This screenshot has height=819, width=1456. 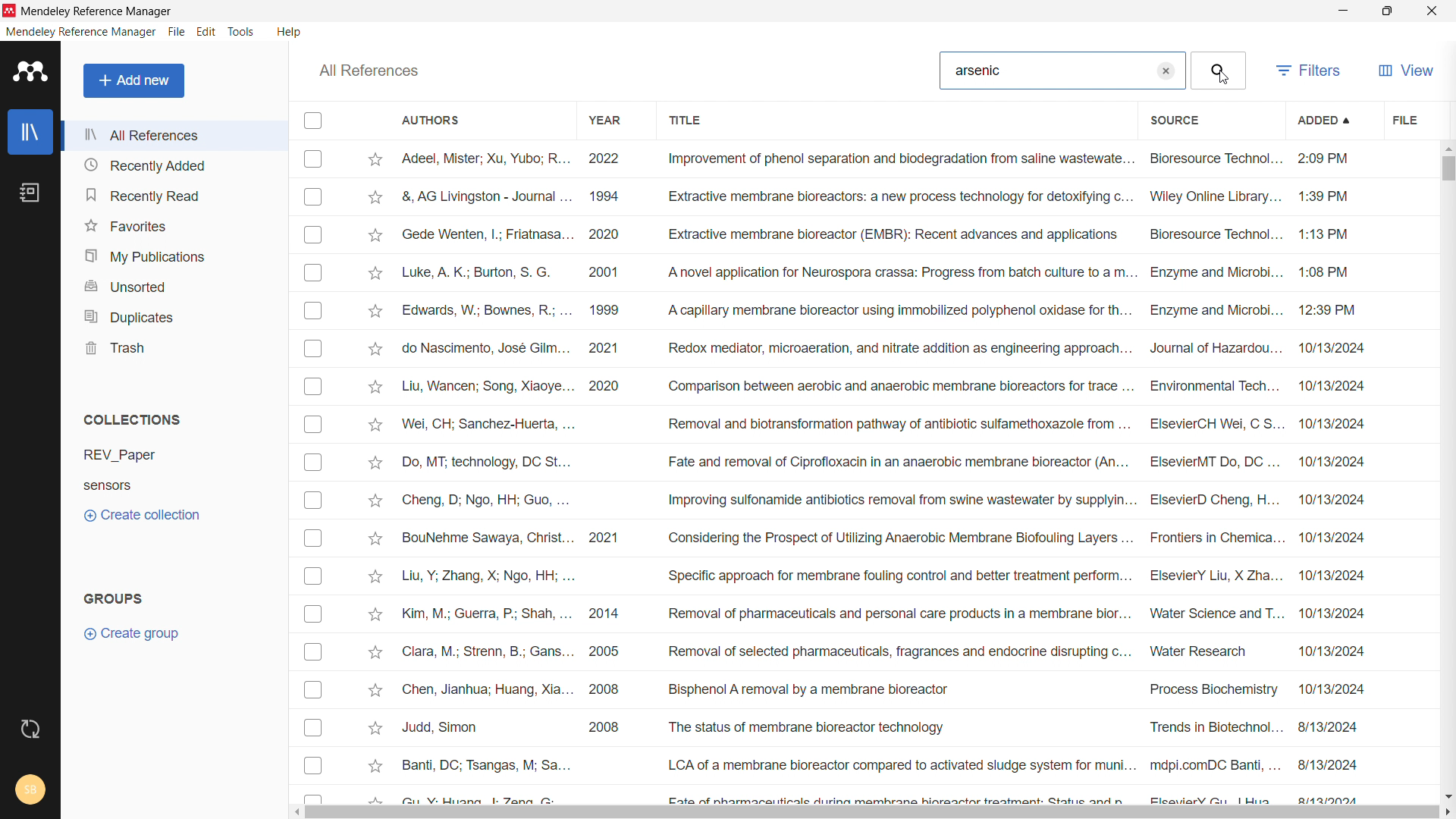 I want to click on Arsenic, so click(x=982, y=71).